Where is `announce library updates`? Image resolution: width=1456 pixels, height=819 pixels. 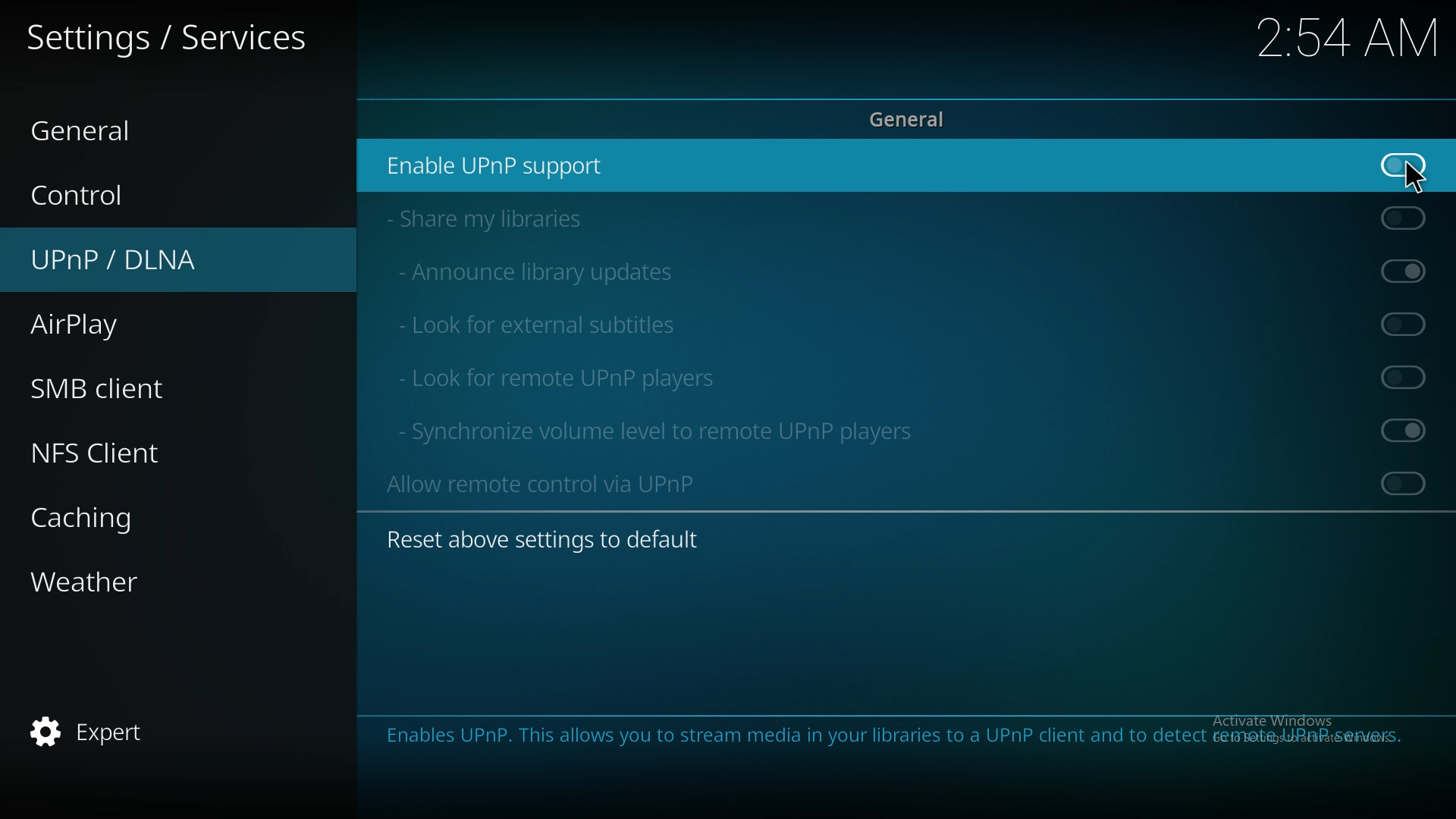 announce library updates is located at coordinates (543, 271).